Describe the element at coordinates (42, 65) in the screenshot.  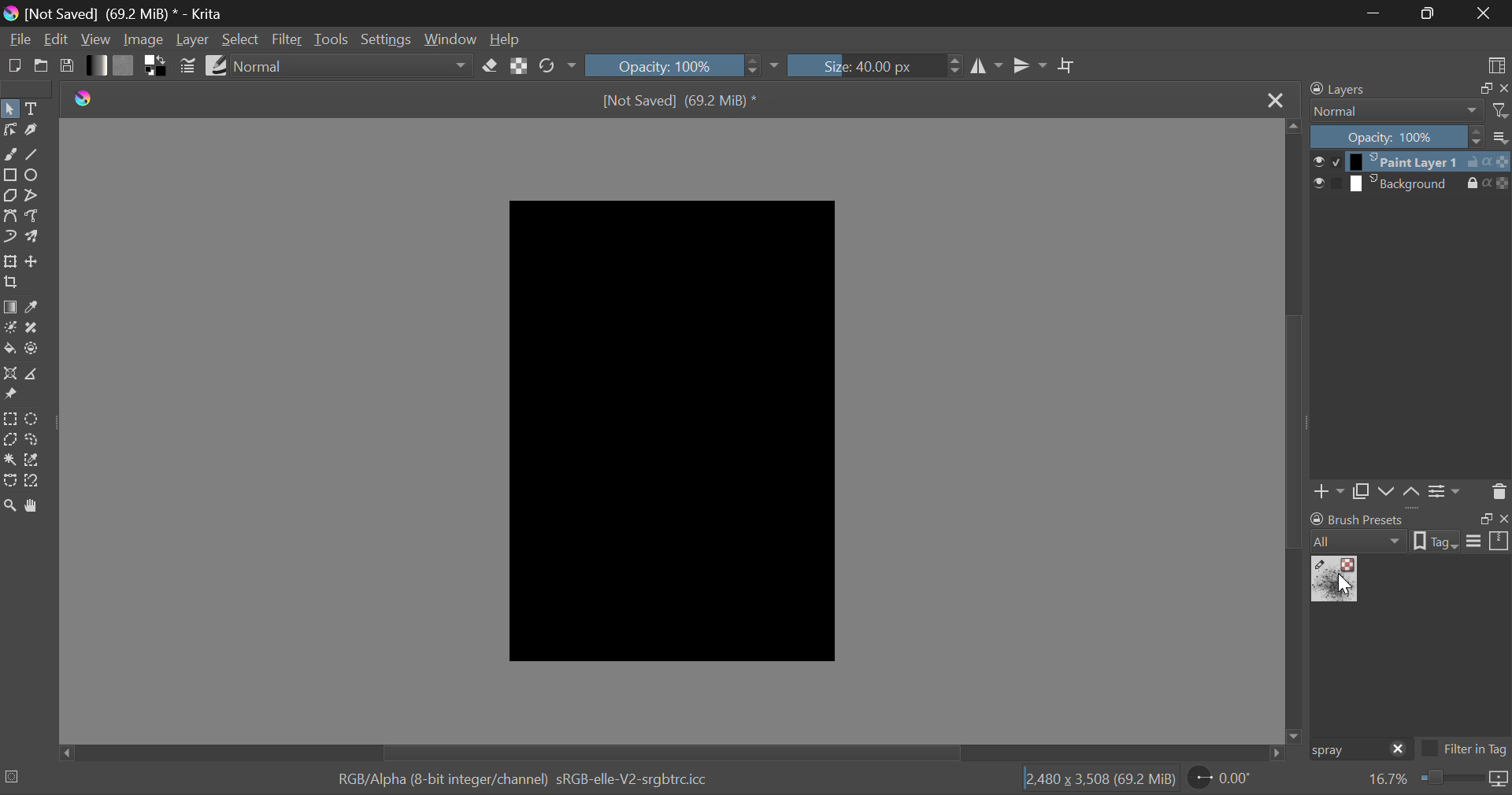
I see `Open` at that location.